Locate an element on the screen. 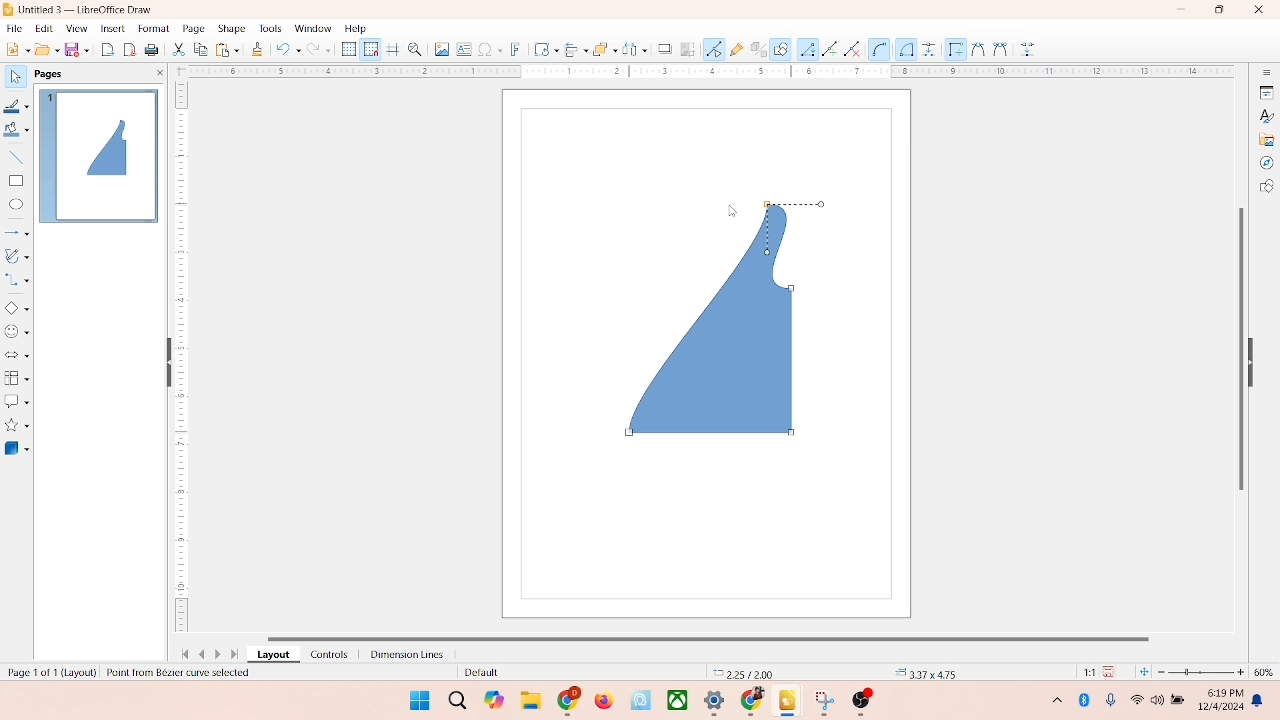 Image resolution: width=1280 pixels, height=720 pixels. redo is located at coordinates (323, 51).